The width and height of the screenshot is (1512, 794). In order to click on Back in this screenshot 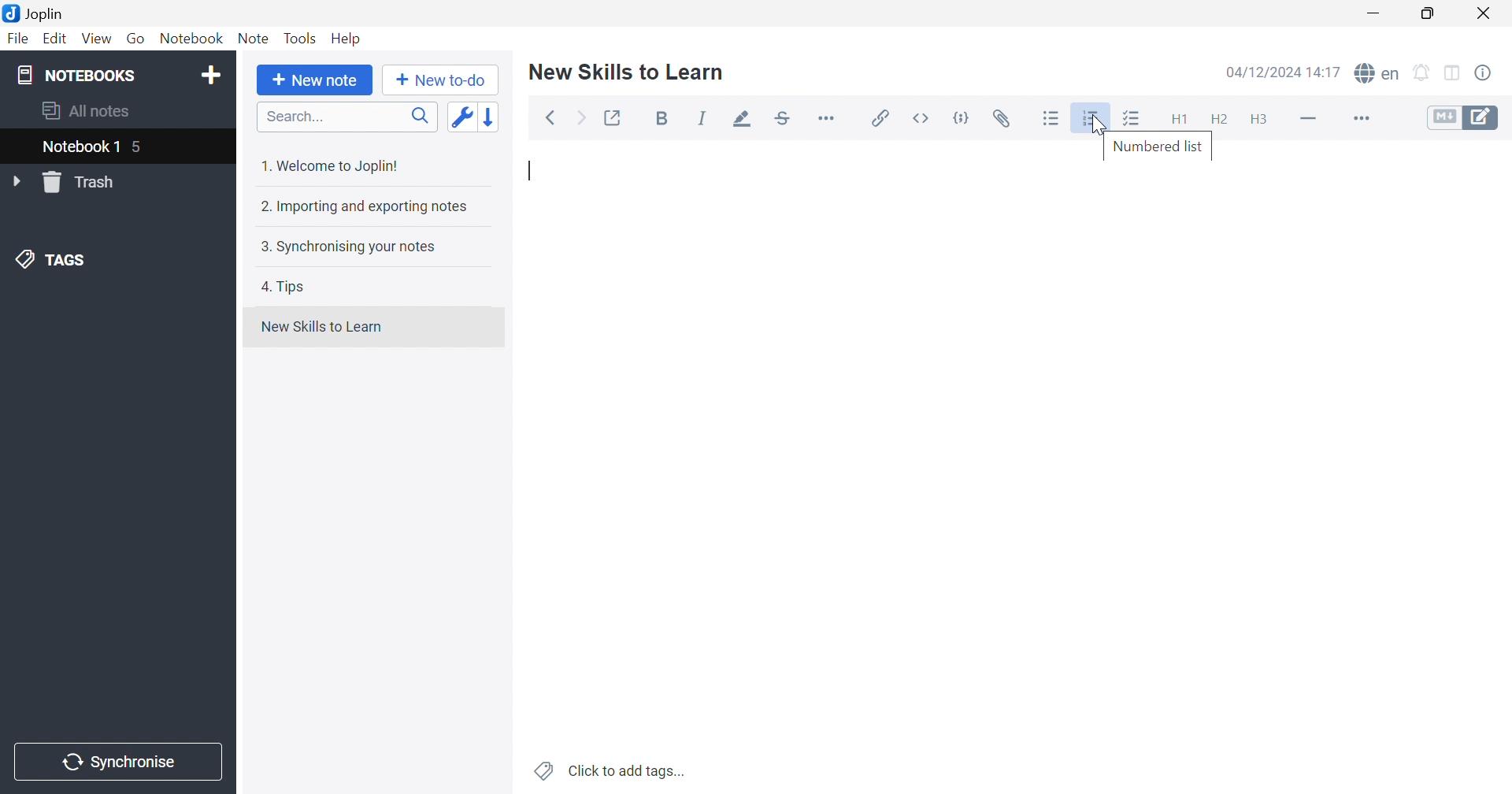, I will do `click(550, 119)`.